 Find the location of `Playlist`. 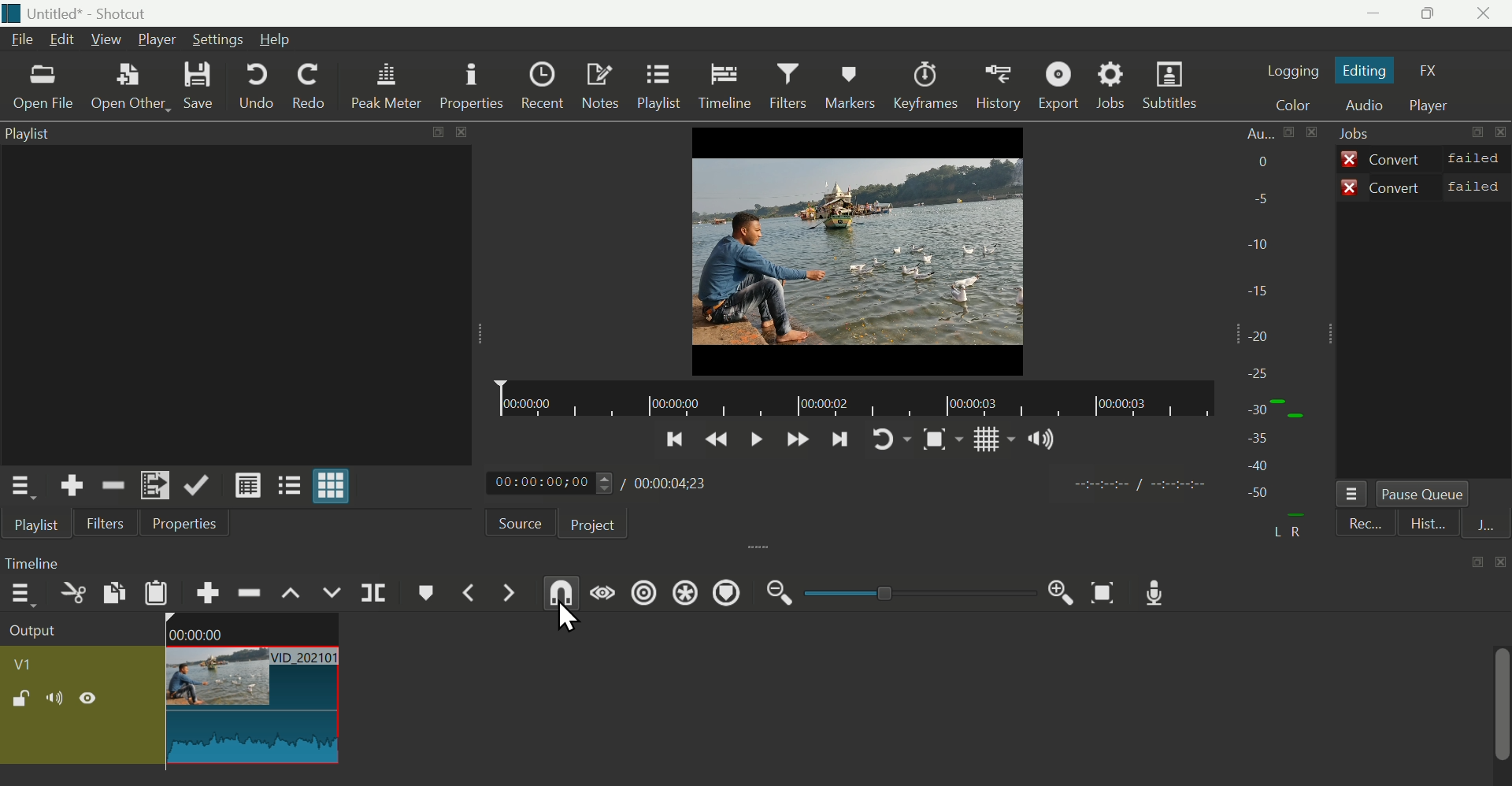

Playlist is located at coordinates (658, 87).